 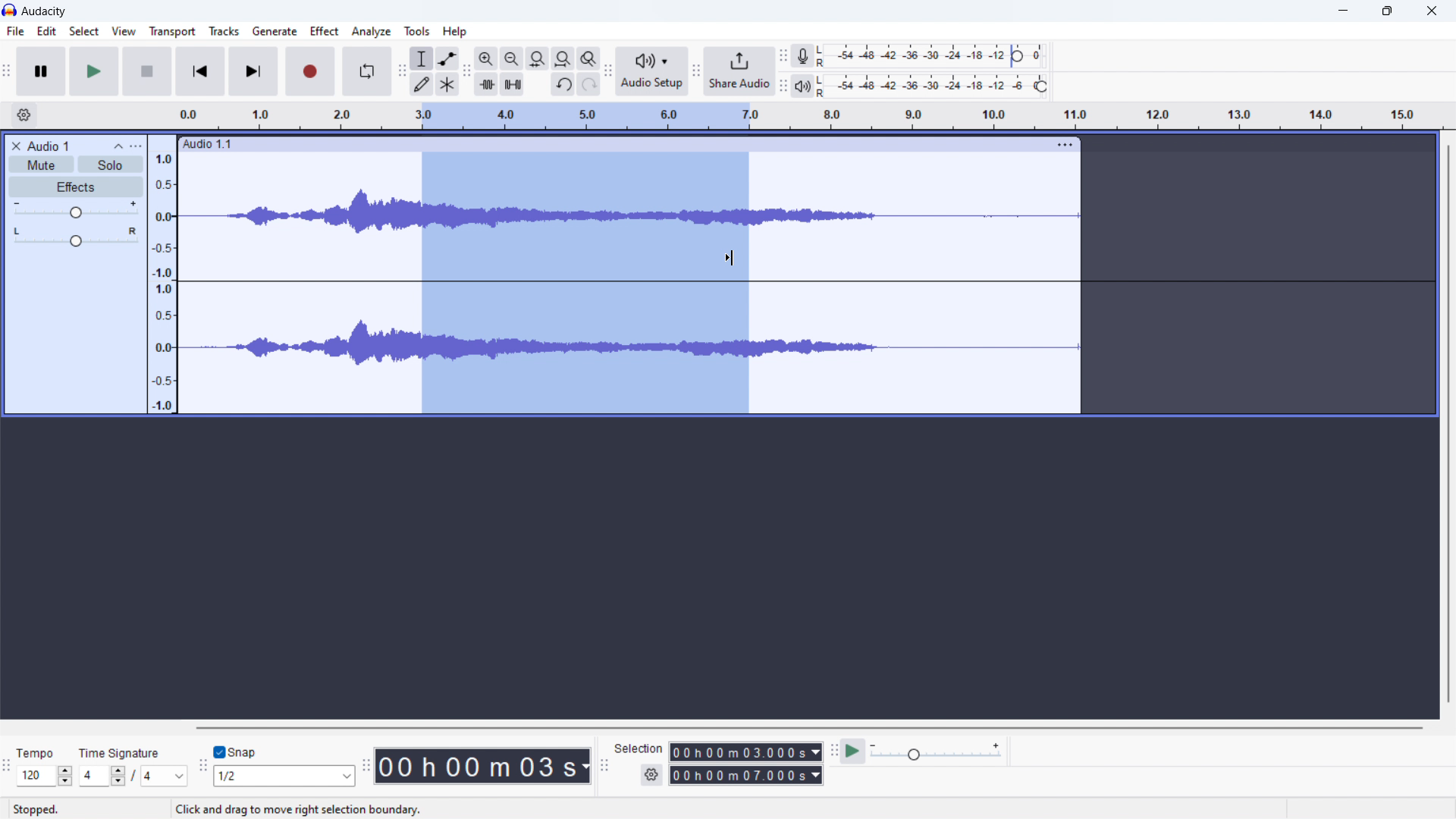 I want to click on zoom out, so click(x=510, y=58).